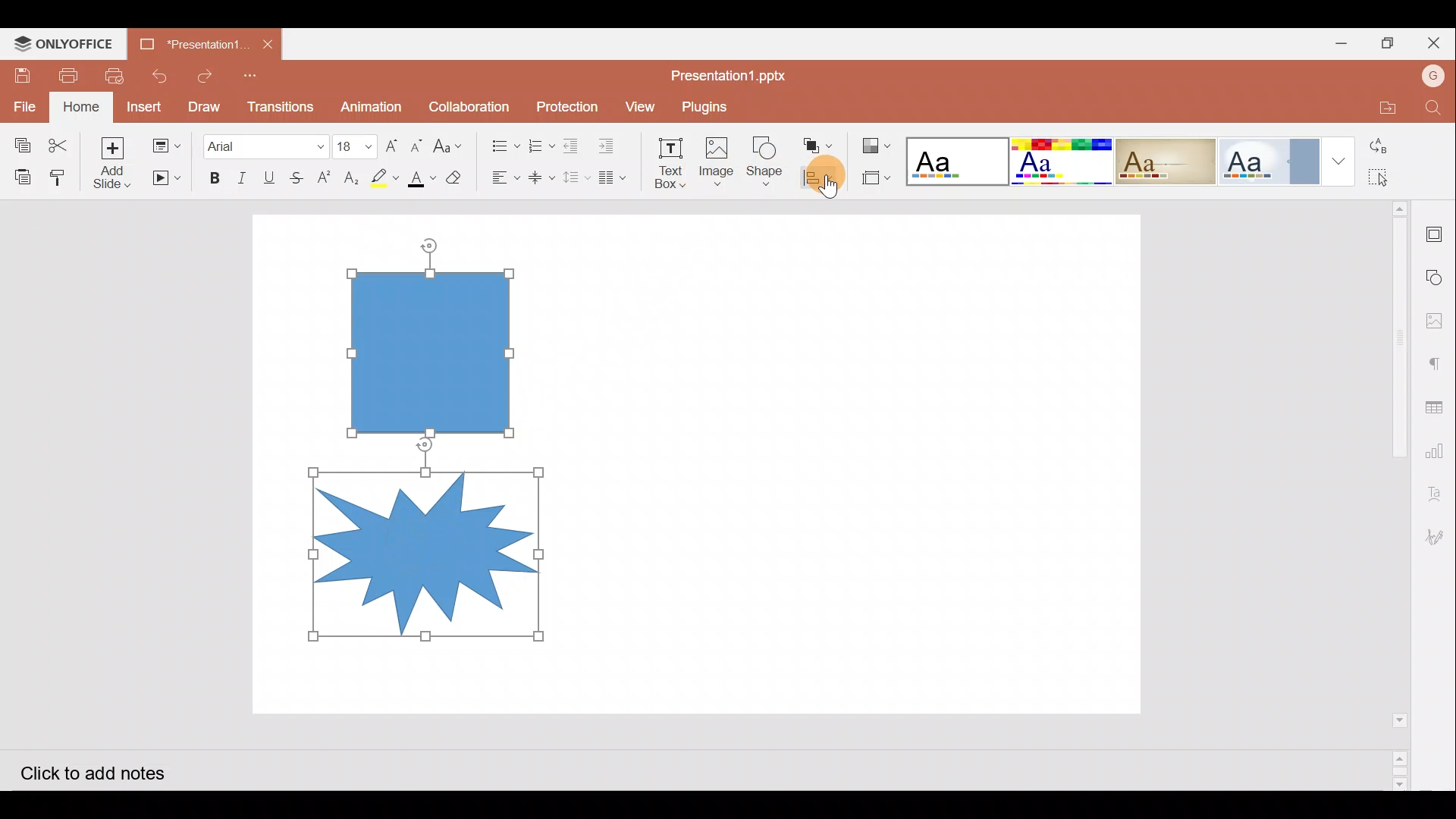  What do you see at coordinates (955, 157) in the screenshot?
I see `Blank` at bounding box center [955, 157].